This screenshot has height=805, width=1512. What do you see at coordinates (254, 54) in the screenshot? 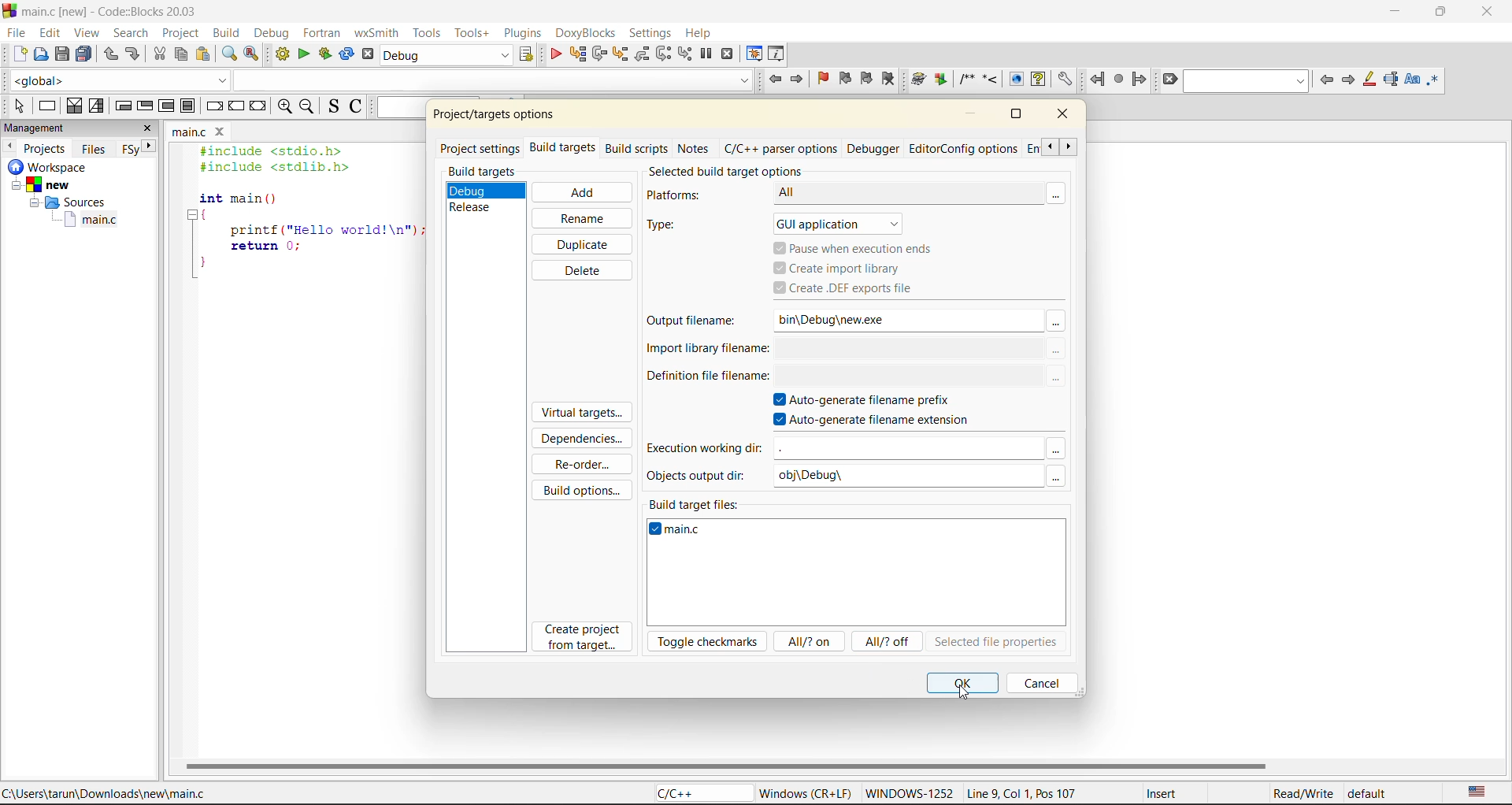
I see `replace` at bounding box center [254, 54].